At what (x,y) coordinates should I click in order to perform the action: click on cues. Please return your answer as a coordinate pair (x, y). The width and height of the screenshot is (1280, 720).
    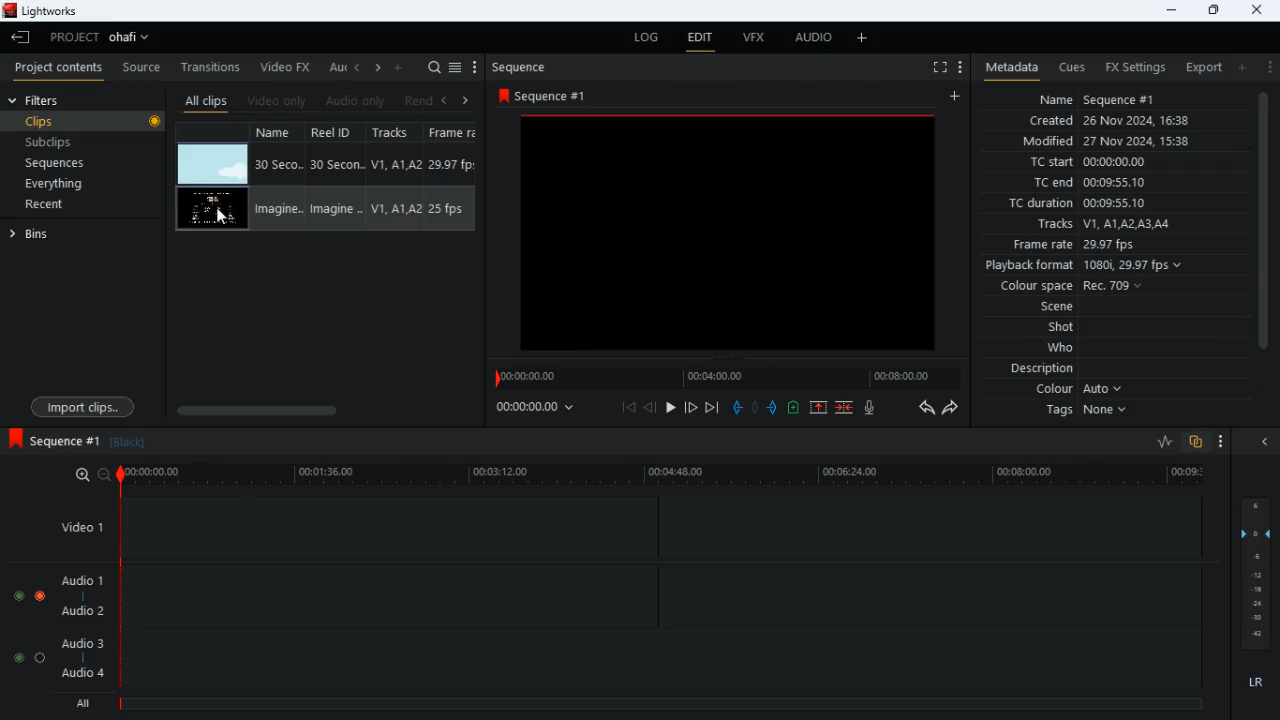
    Looking at the image, I should click on (1066, 67).